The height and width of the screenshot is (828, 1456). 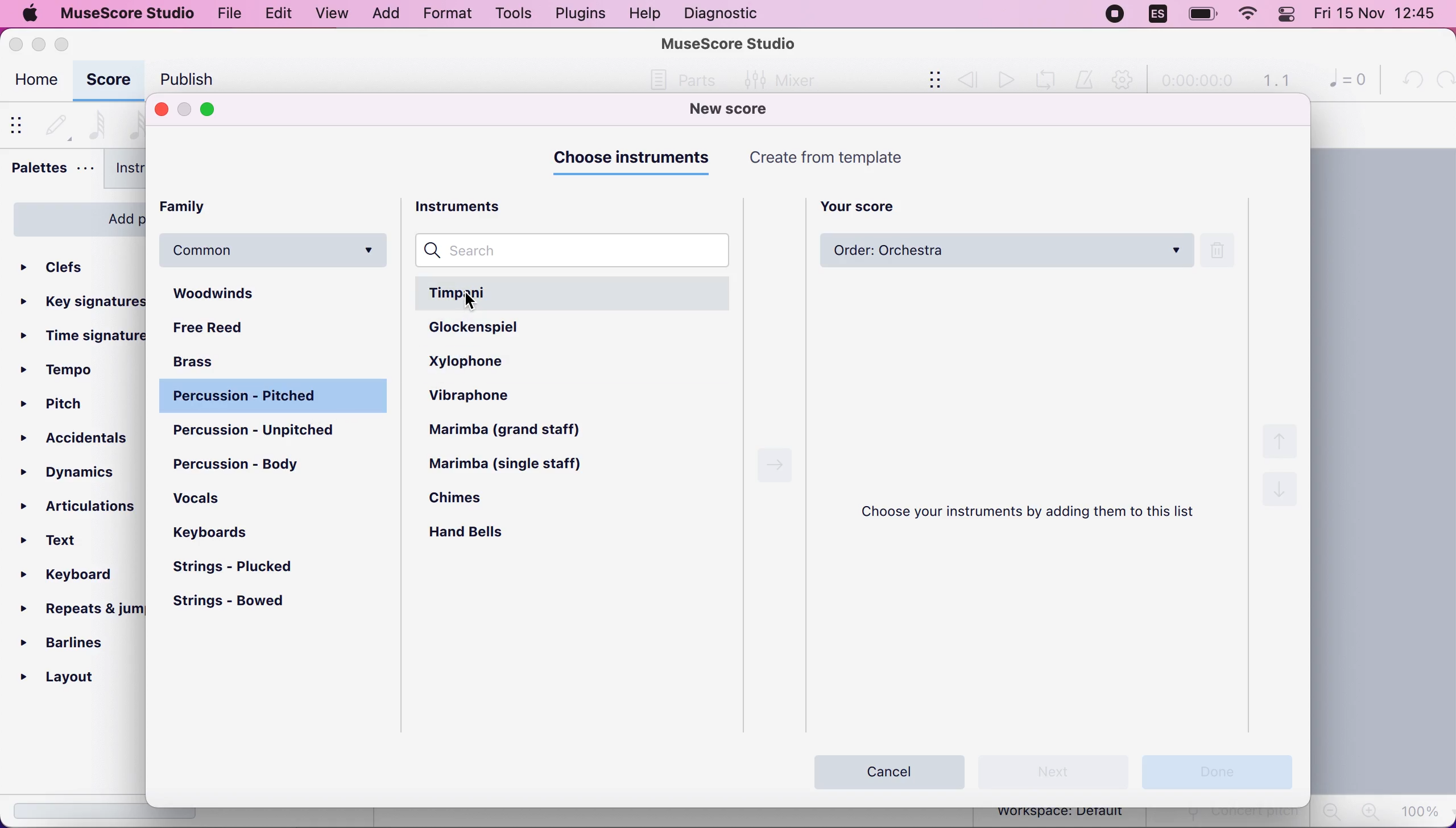 What do you see at coordinates (926, 81) in the screenshot?
I see `show/hide` at bounding box center [926, 81].